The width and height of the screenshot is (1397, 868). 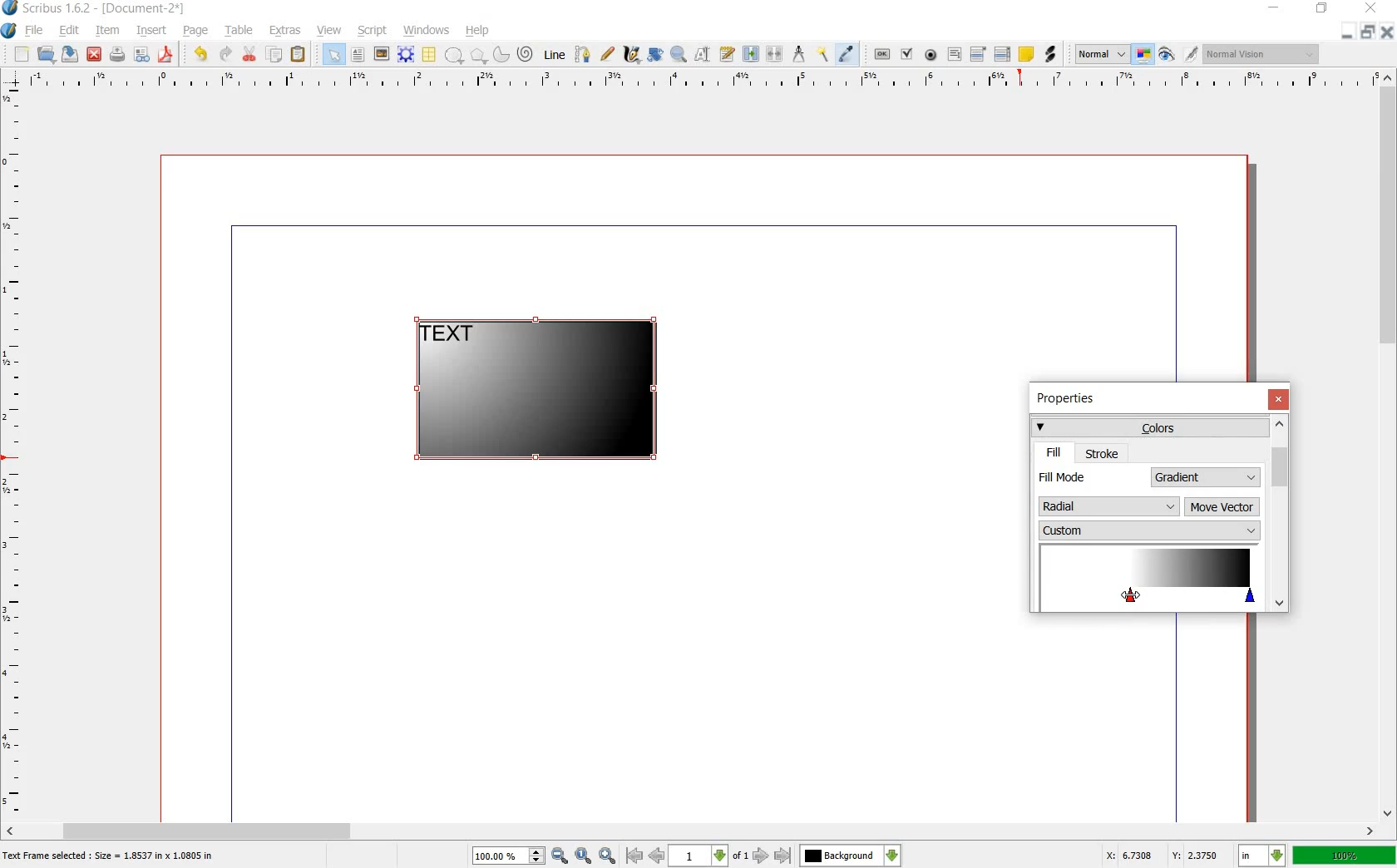 I want to click on cut, so click(x=250, y=55).